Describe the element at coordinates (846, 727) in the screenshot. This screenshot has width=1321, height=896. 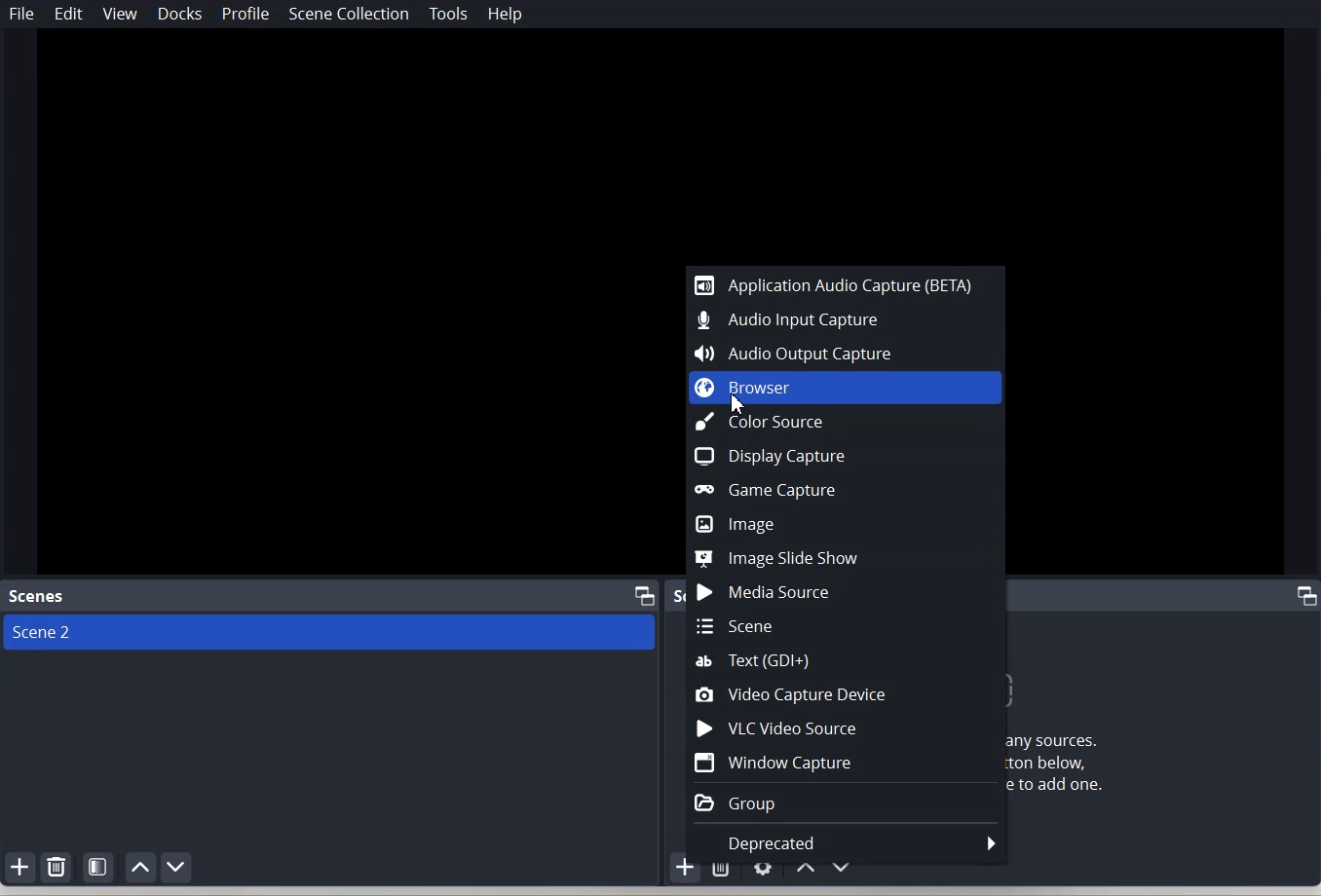
I see `VLC Video Source` at that location.